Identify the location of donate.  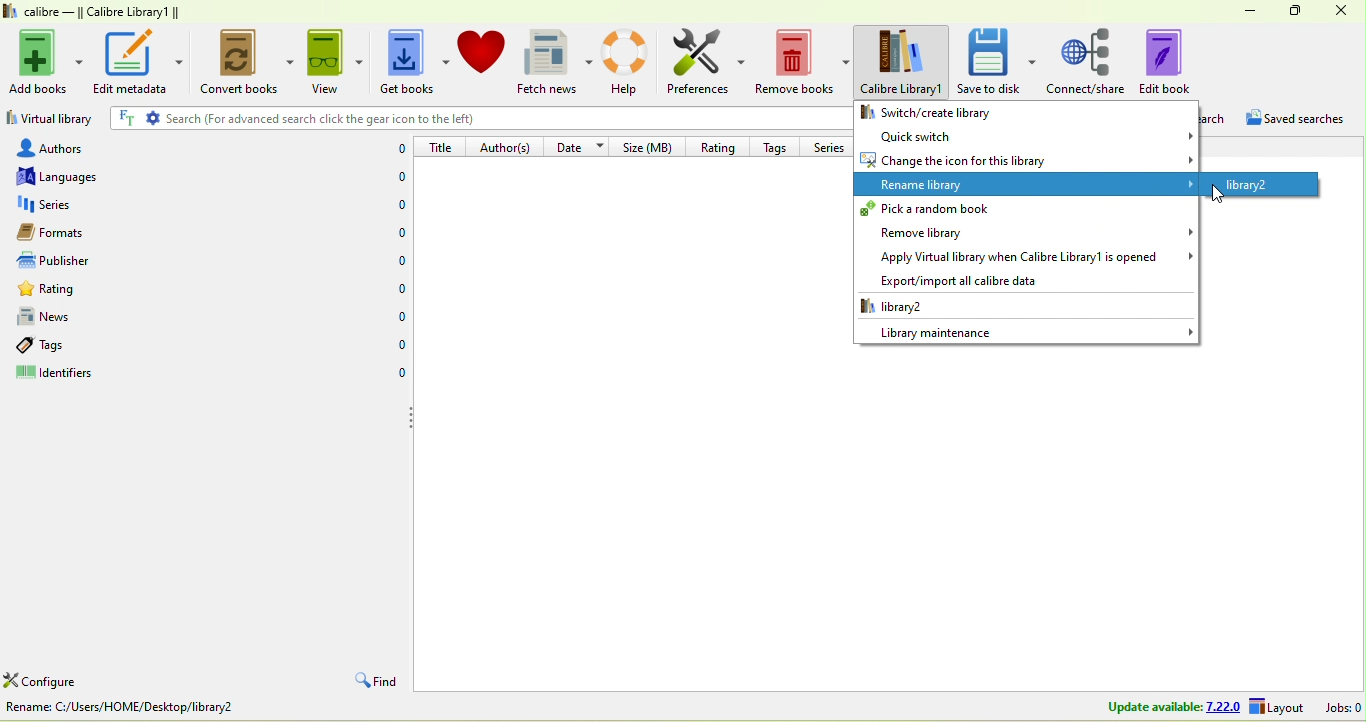
(482, 51).